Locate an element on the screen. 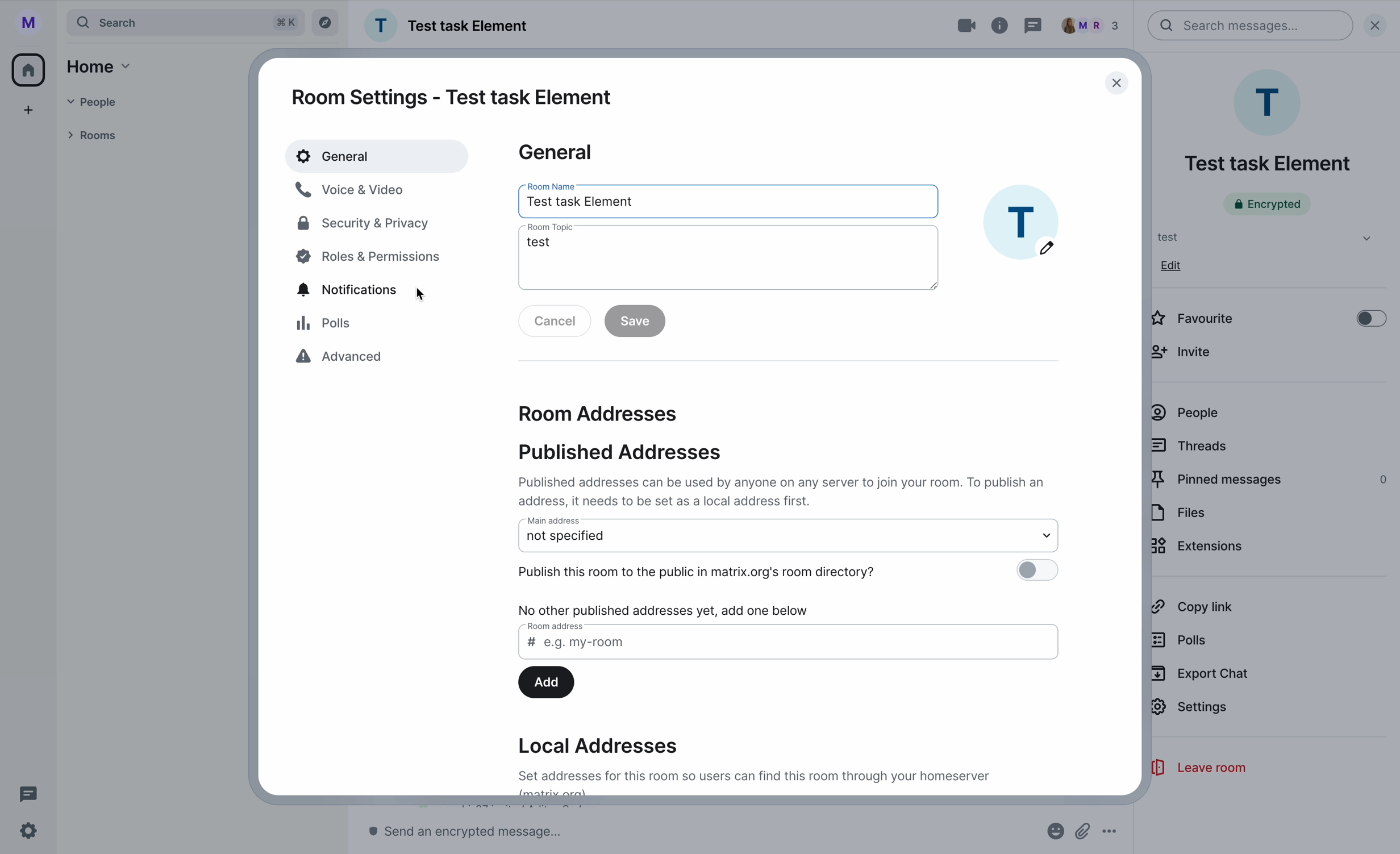  settings is located at coordinates (29, 832).